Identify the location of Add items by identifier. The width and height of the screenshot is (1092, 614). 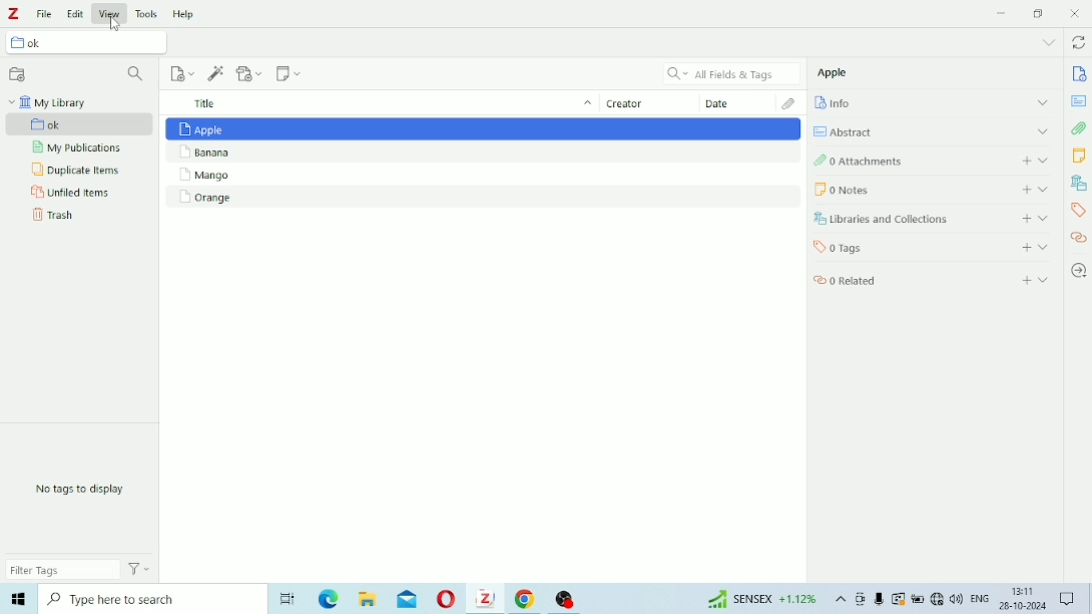
(216, 73).